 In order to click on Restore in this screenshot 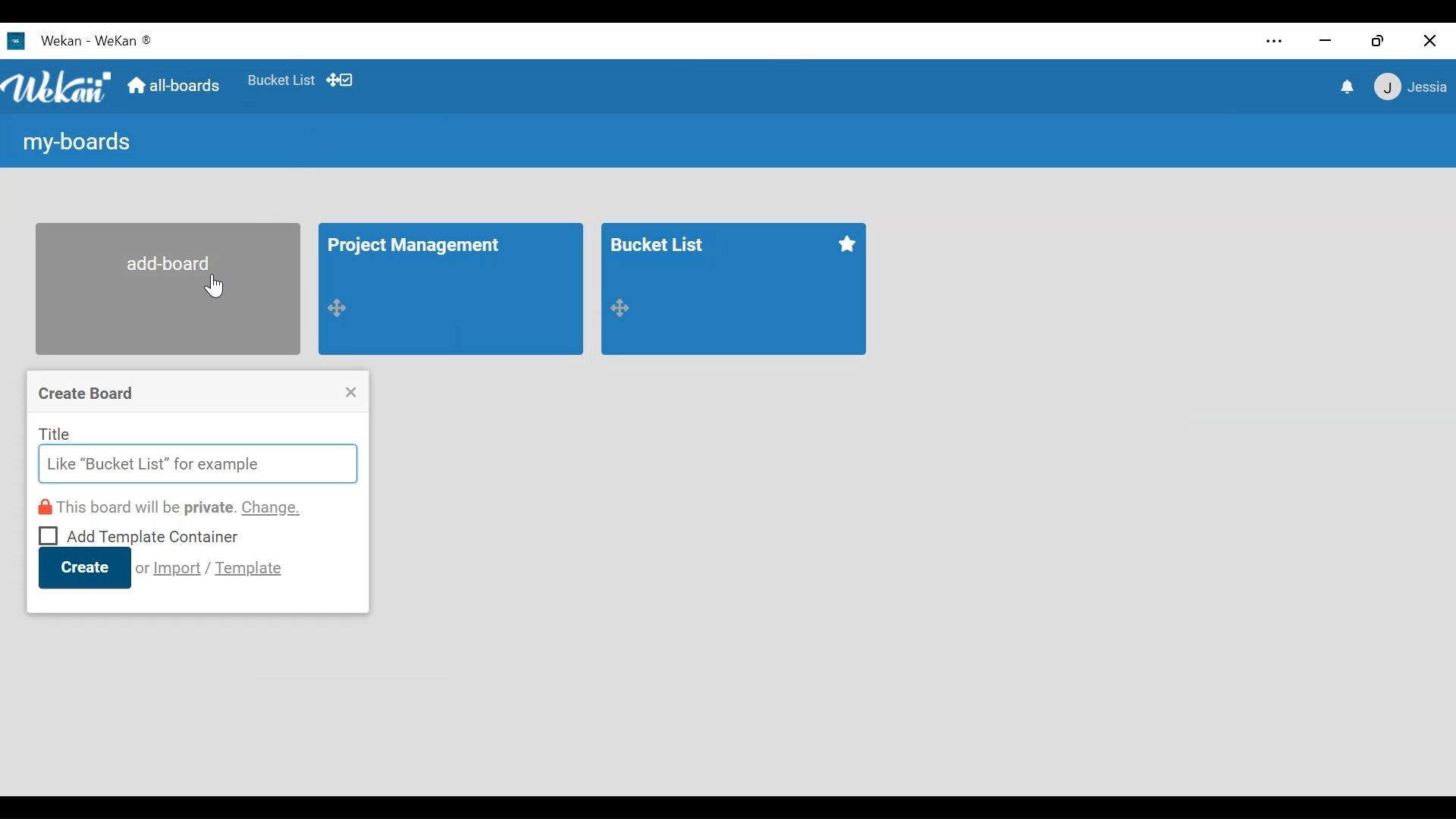, I will do `click(1378, 40)`.